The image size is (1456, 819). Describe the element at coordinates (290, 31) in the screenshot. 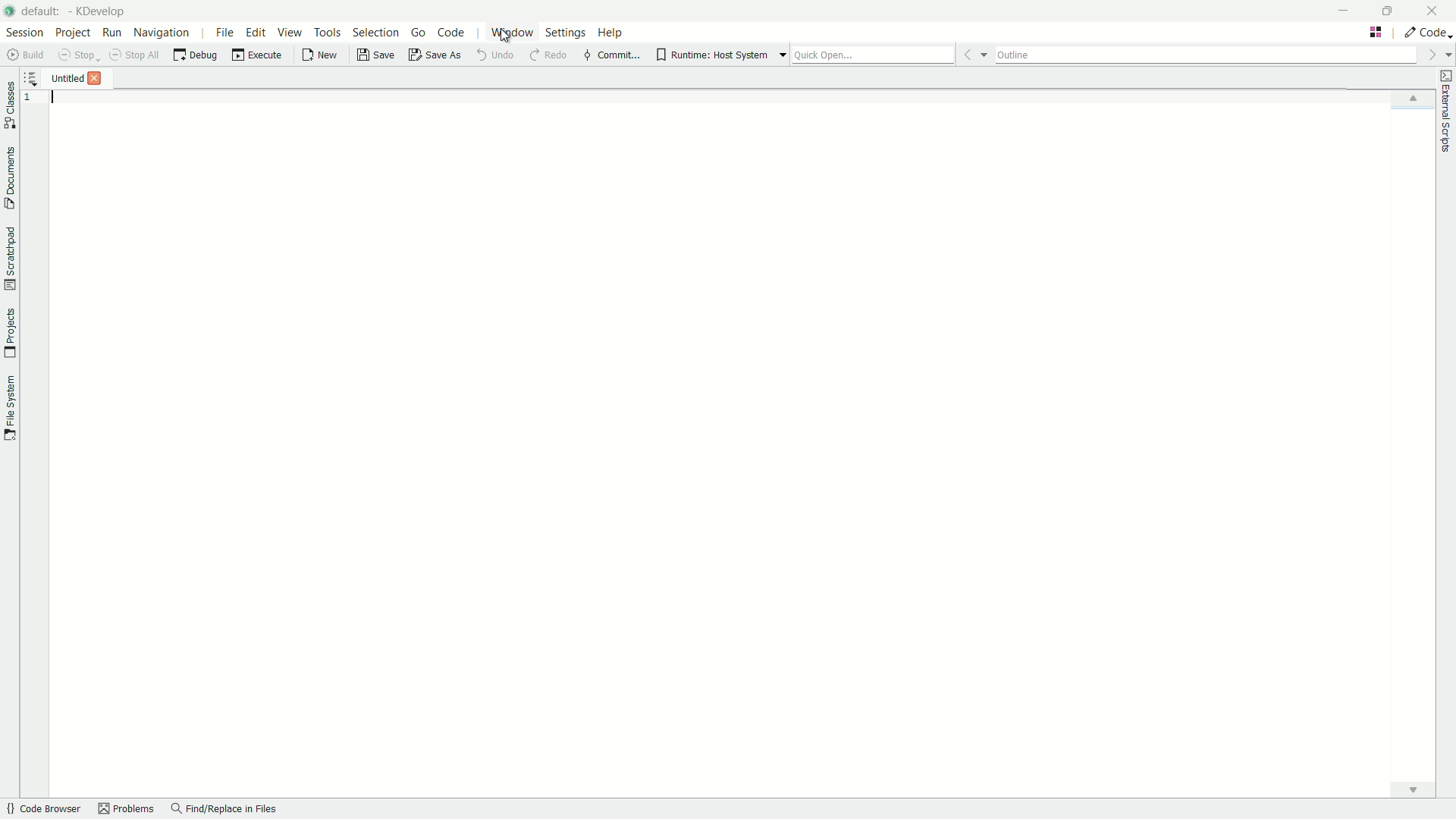

I see `view menu` at that location.